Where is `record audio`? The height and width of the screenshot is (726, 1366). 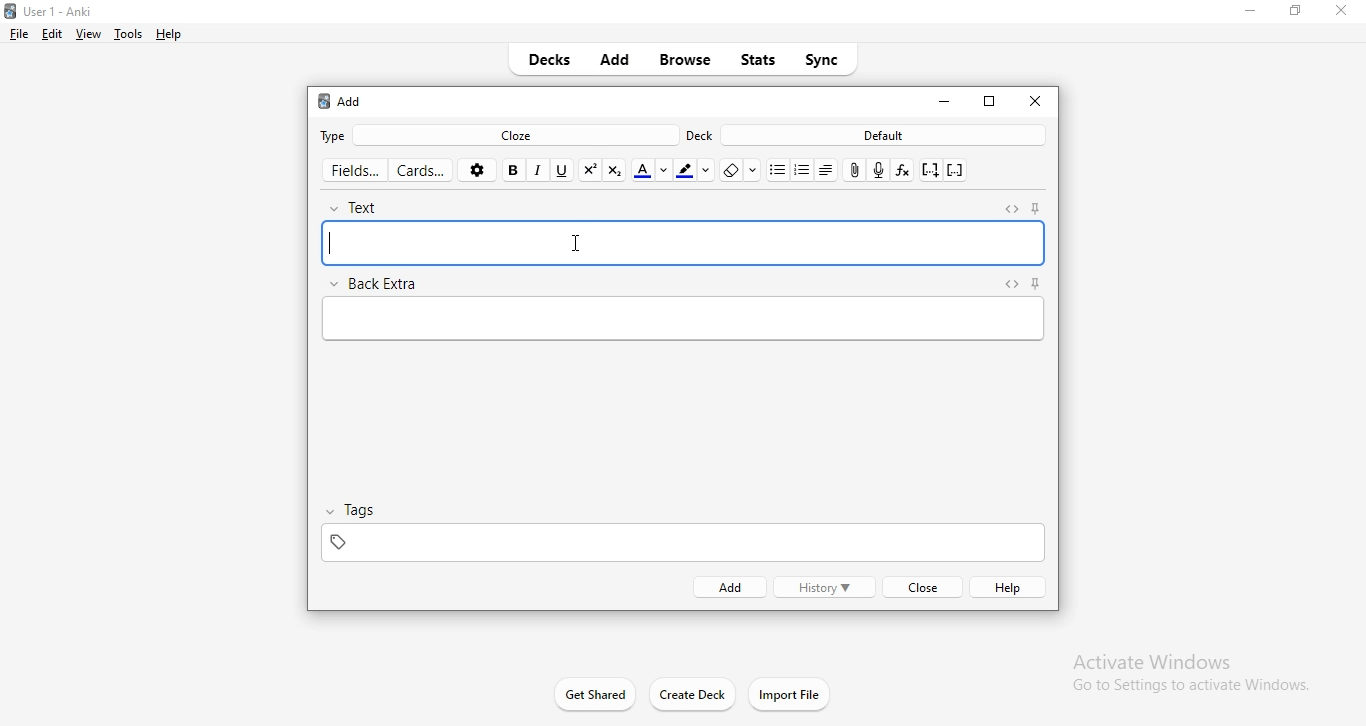
record audio is located at coordinates (880, 169).